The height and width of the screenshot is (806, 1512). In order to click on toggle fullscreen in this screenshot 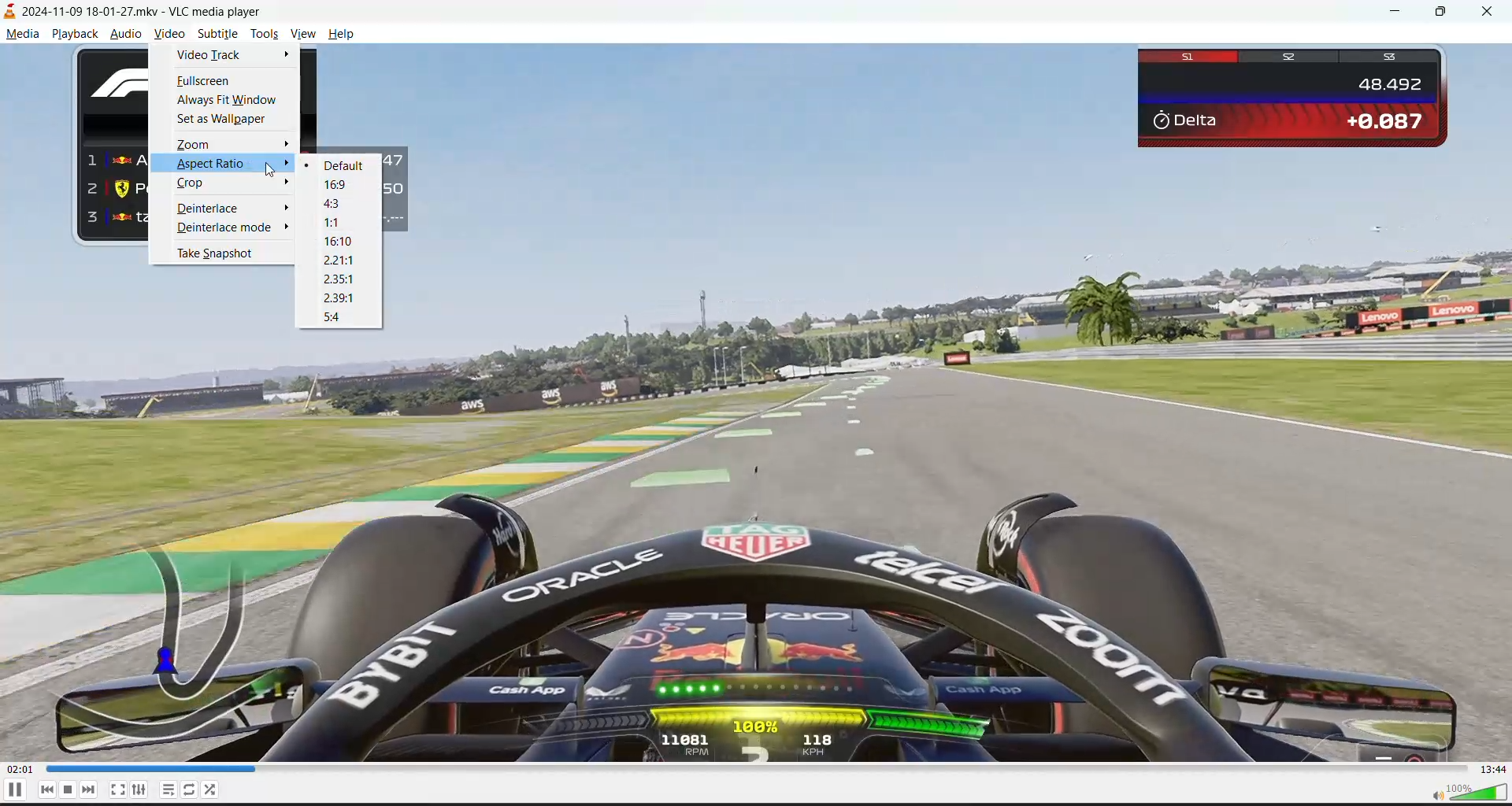, I will do `click(117, 789)`.